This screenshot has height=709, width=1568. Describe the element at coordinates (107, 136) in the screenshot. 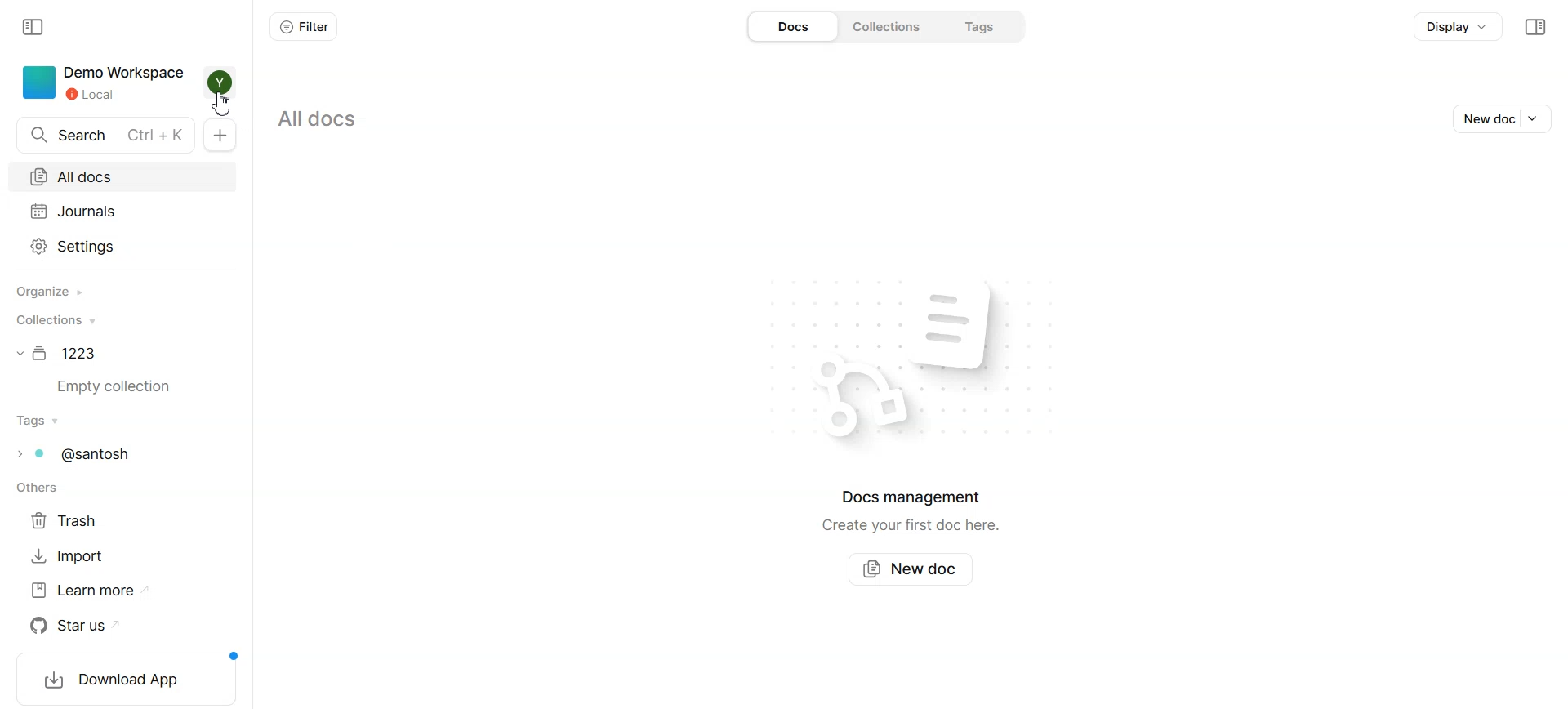

I see `Search doc` at that location.